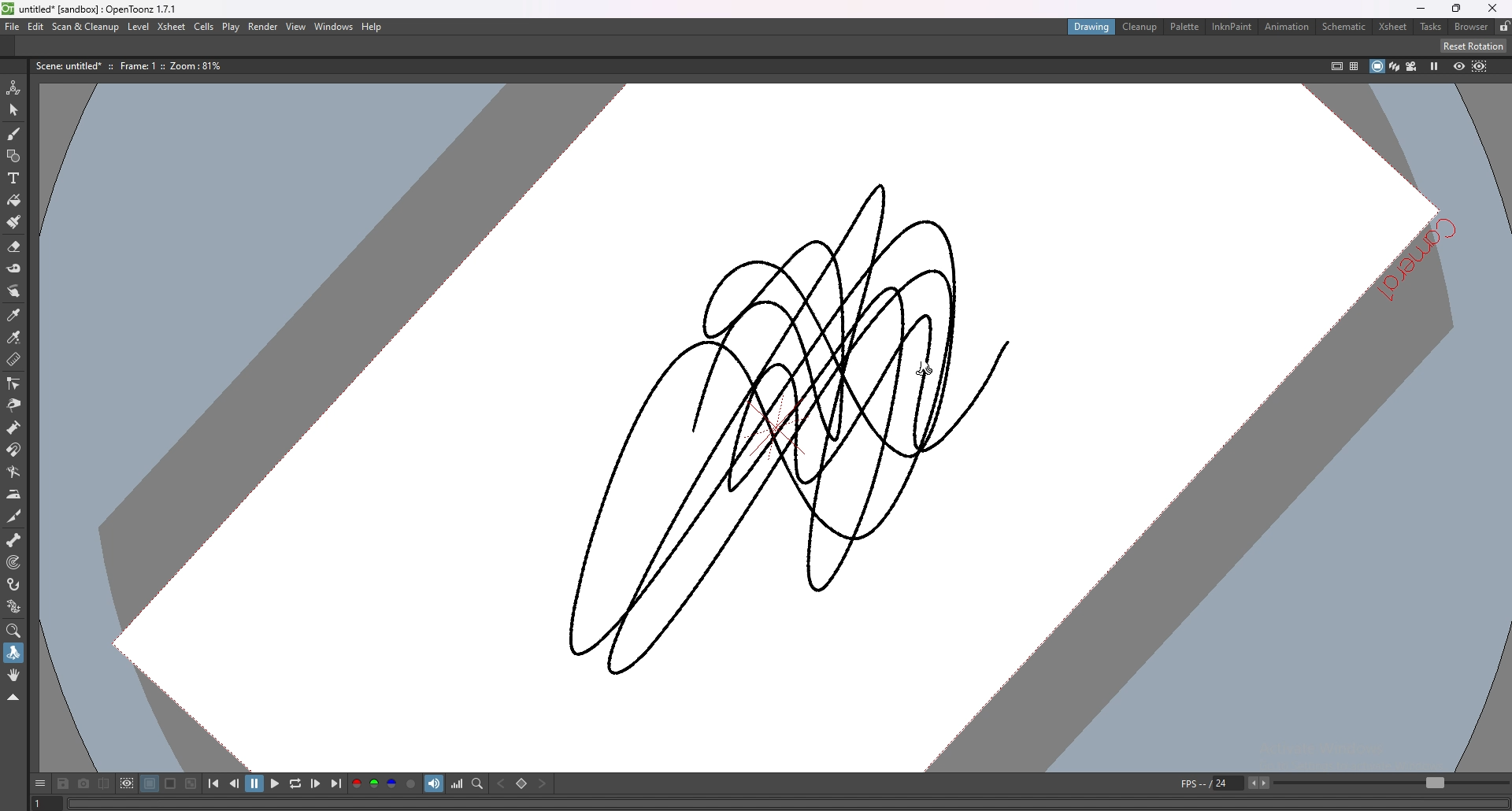 The height and width of the screenshot is (811, 1512). I want to click on fps, so click(1223, 783).